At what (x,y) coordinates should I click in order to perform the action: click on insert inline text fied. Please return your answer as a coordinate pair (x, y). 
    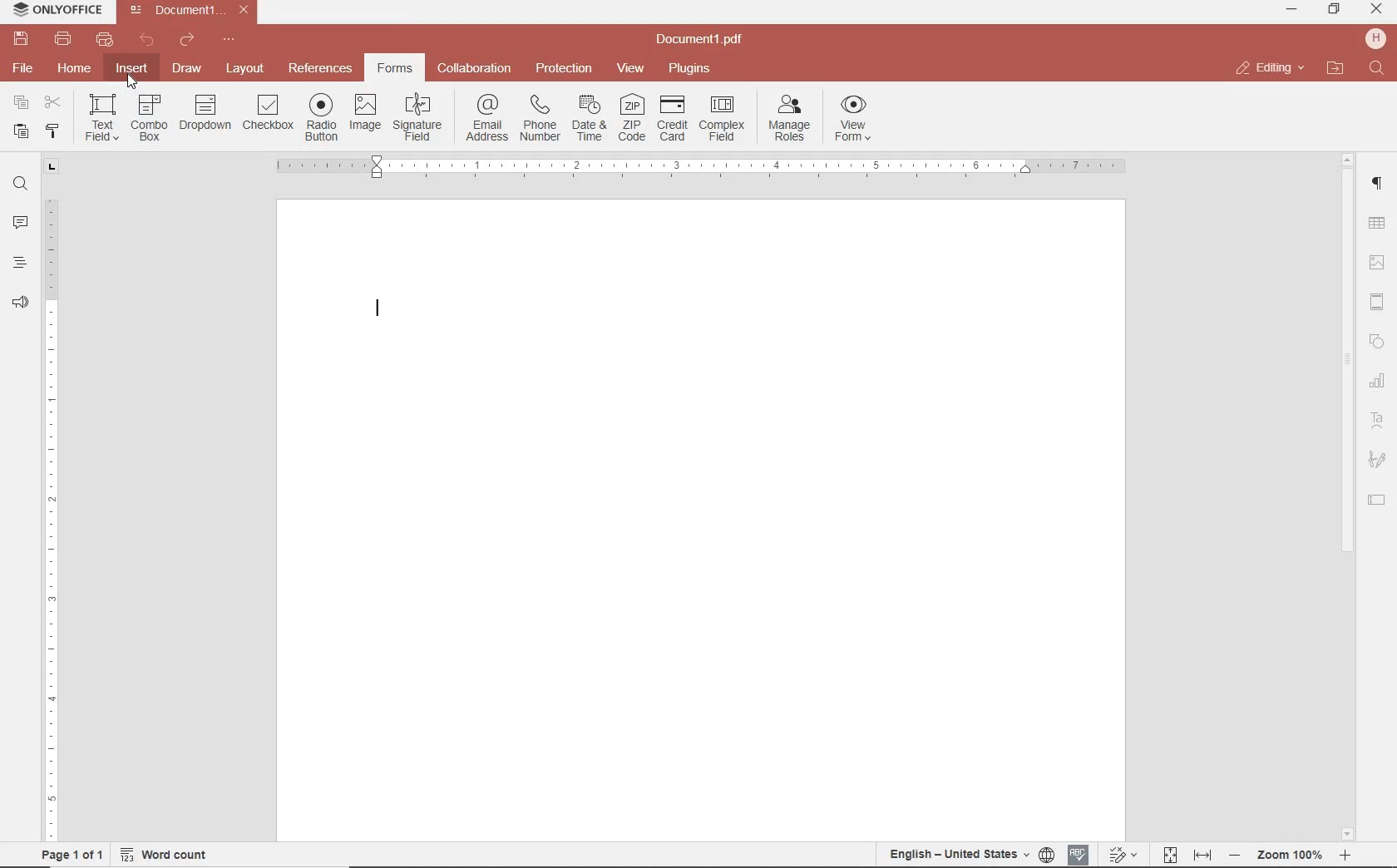
    Looking at the image, I should click on (102, 118).